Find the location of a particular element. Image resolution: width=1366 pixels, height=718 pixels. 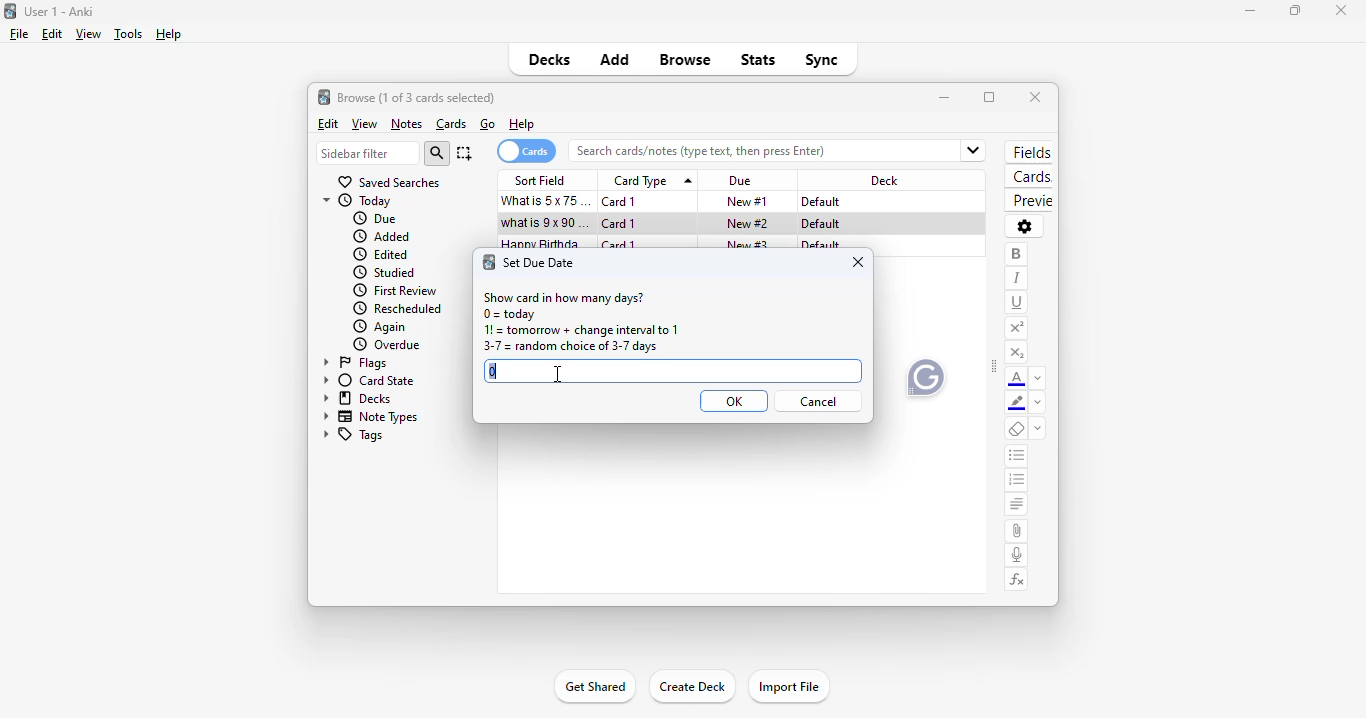

OK is located at coordinates (734, 401).